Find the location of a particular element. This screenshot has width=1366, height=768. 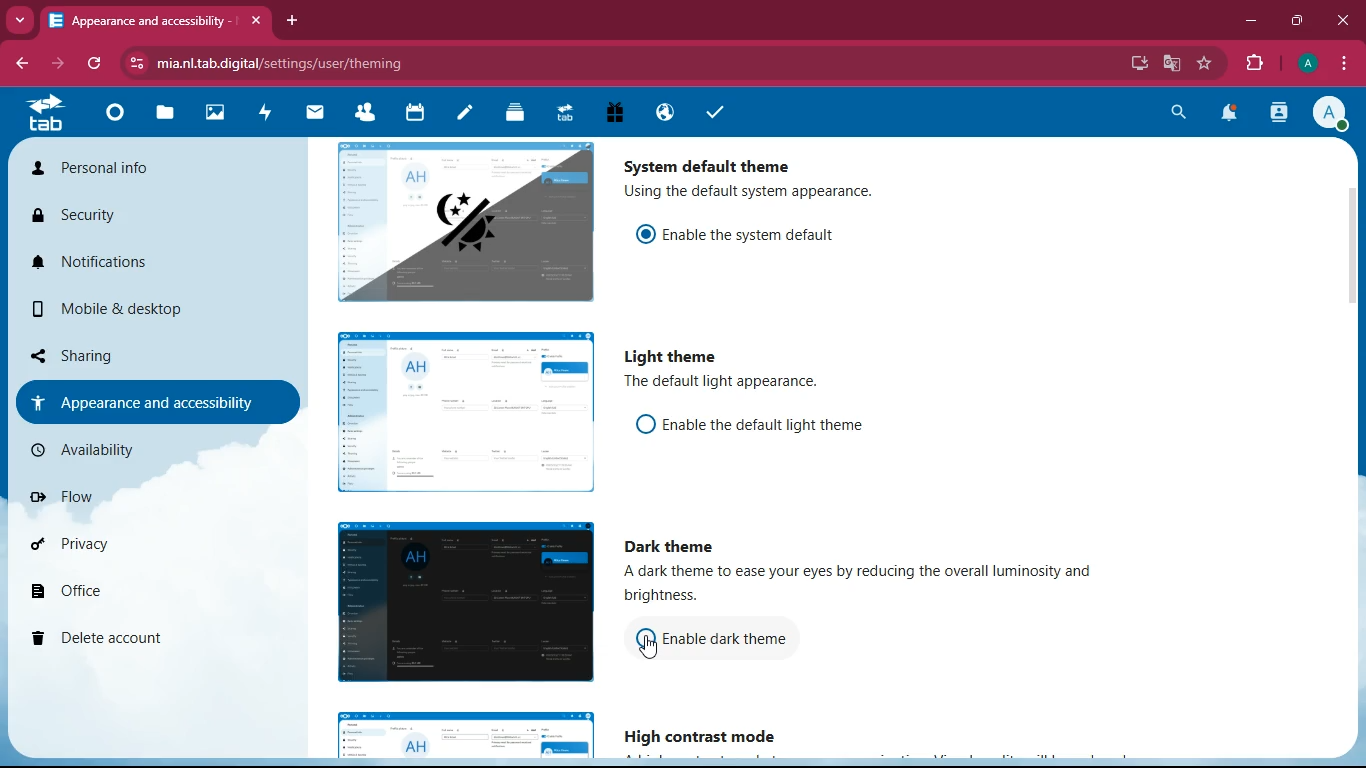

delete account is located at coordinates (126, 640).